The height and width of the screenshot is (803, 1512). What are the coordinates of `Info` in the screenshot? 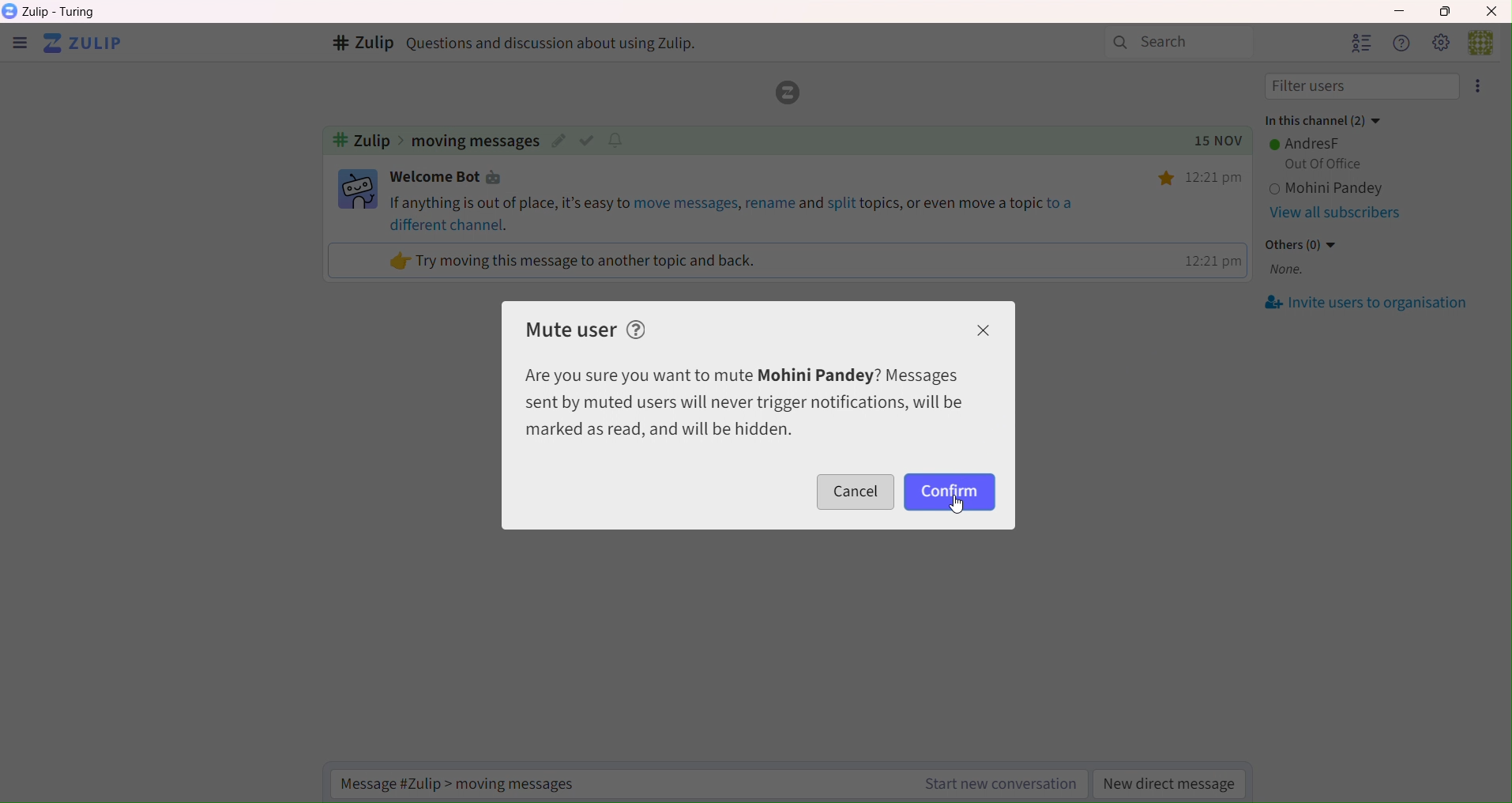 It's located at (1400, 43).